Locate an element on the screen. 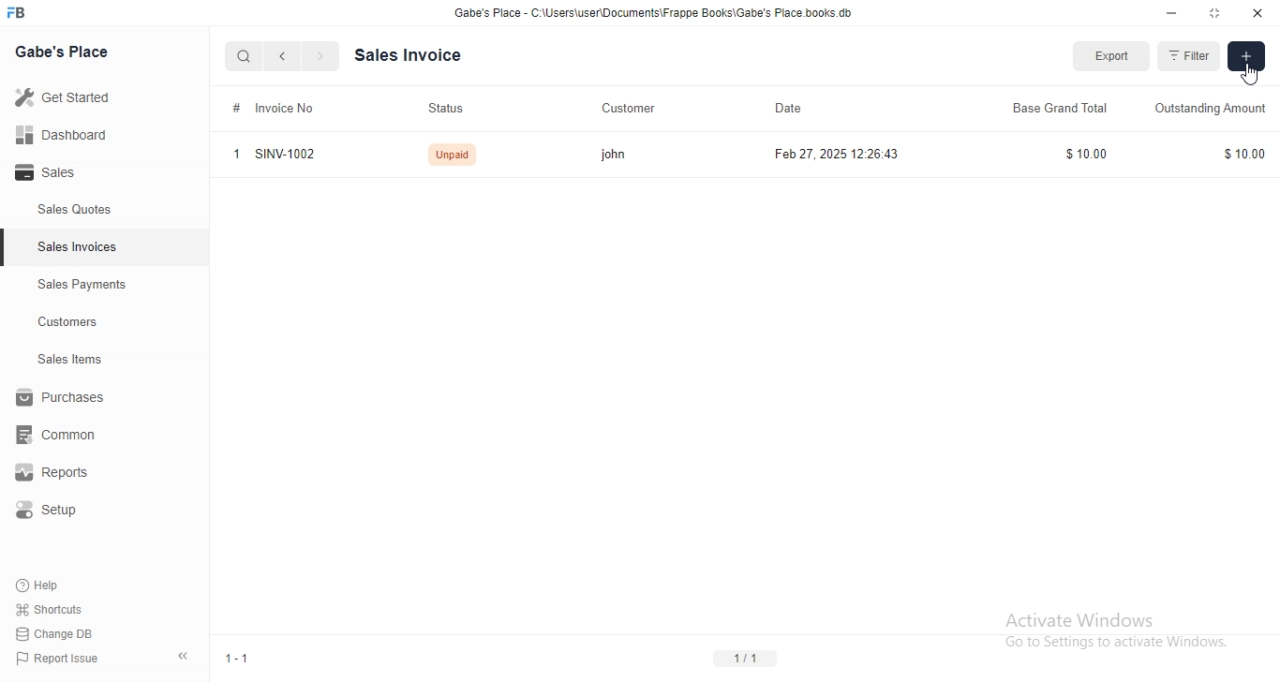 This screenshot has height=682, width=1280. $1000 is located at coordinates (1088, 153).